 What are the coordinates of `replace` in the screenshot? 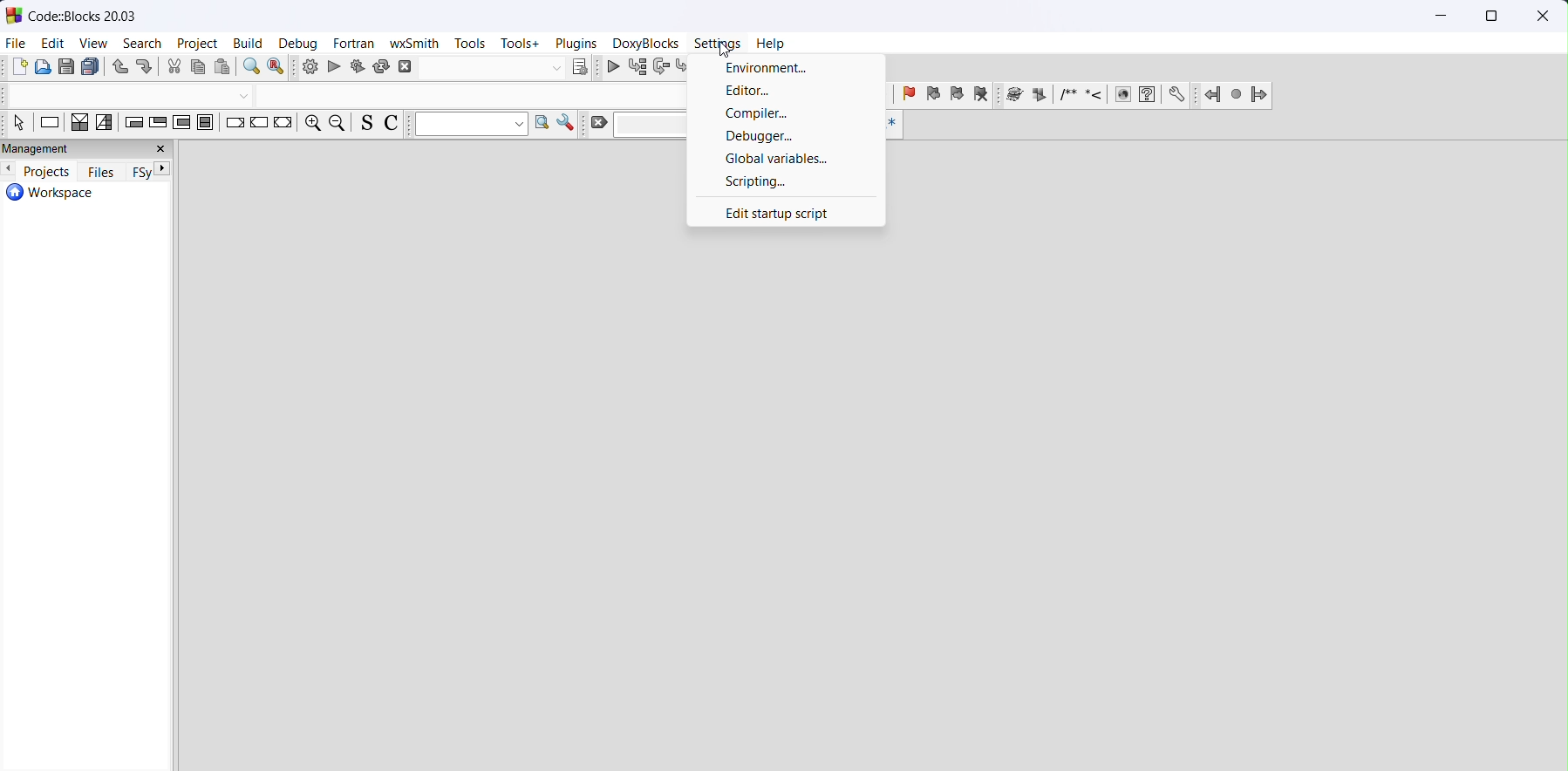 It's located at (278, 68).